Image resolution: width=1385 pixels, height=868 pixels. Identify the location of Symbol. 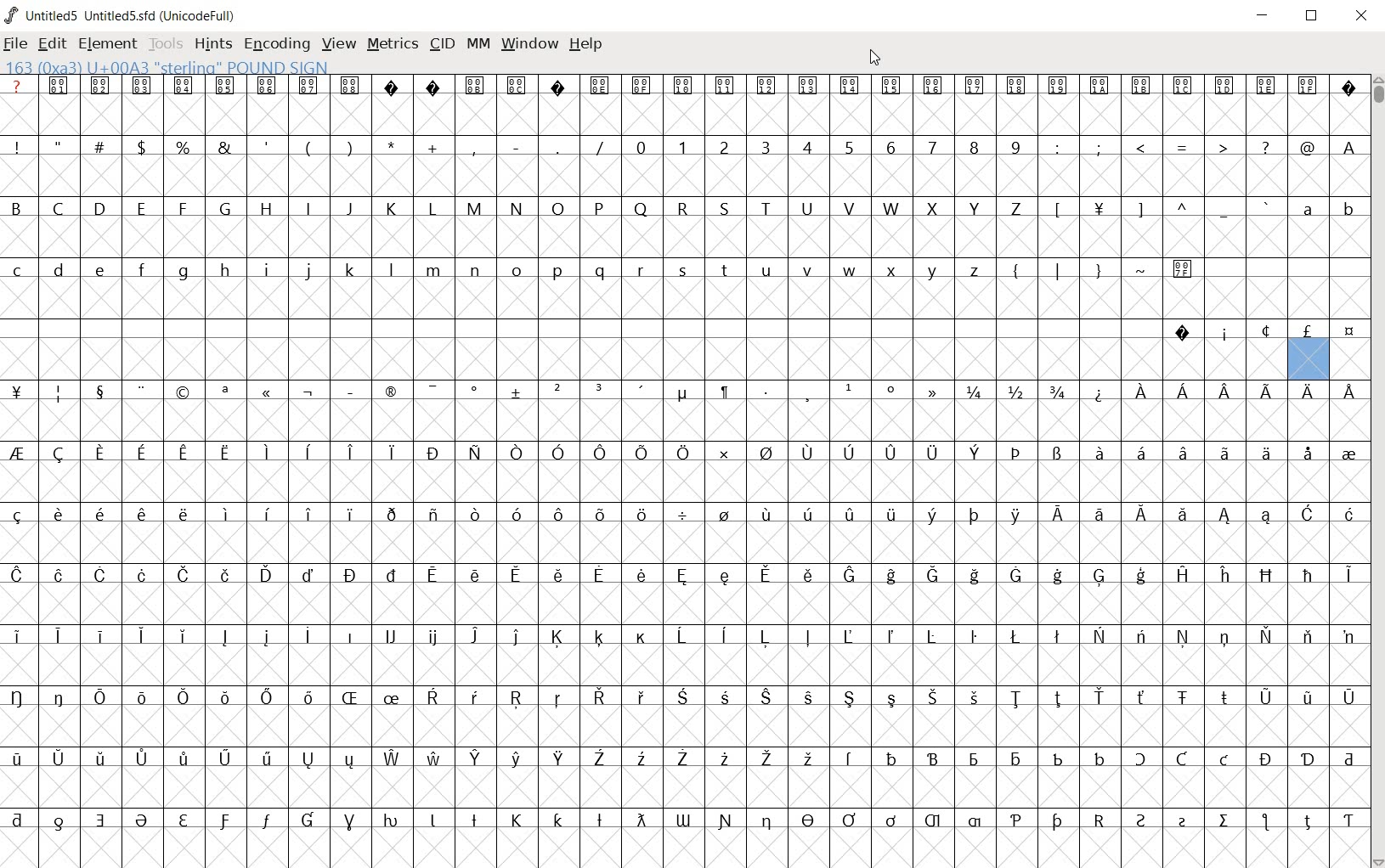
(1224, 86).